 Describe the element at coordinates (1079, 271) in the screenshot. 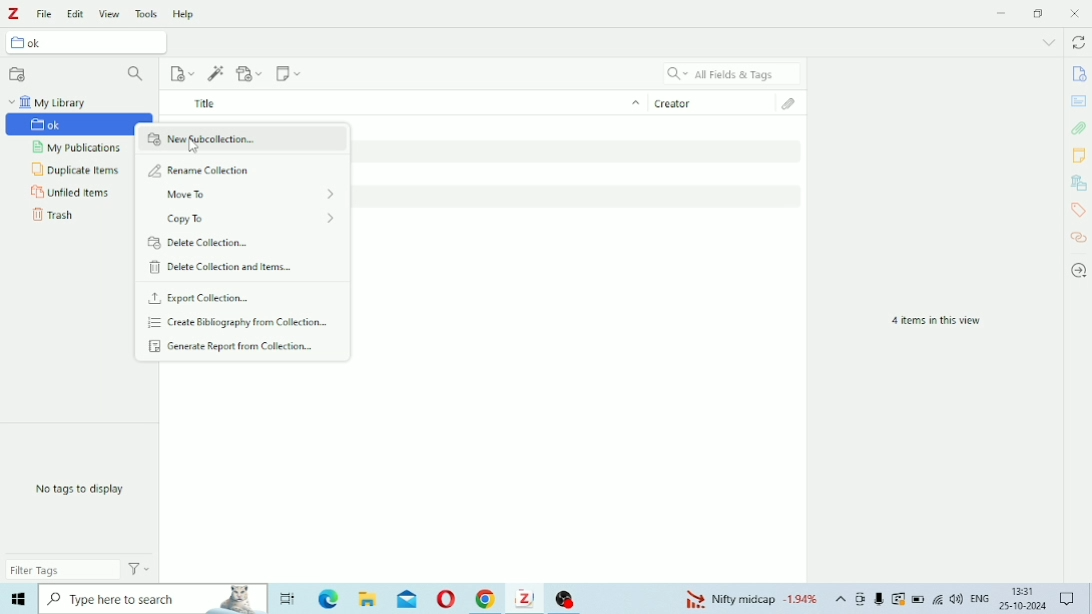

I see `Locate` at that location.